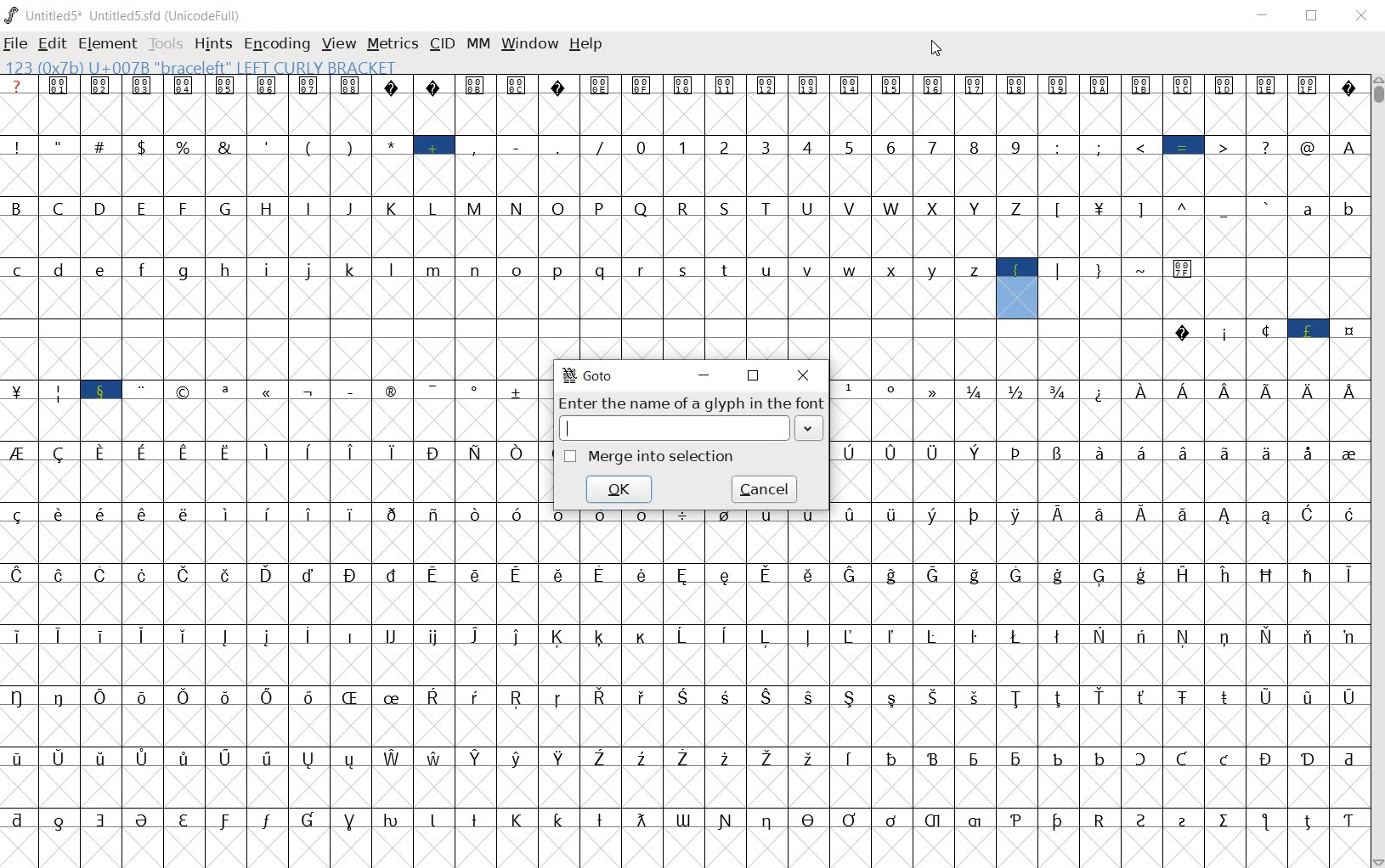  I want to click on ENCODING, so click(276, 44).